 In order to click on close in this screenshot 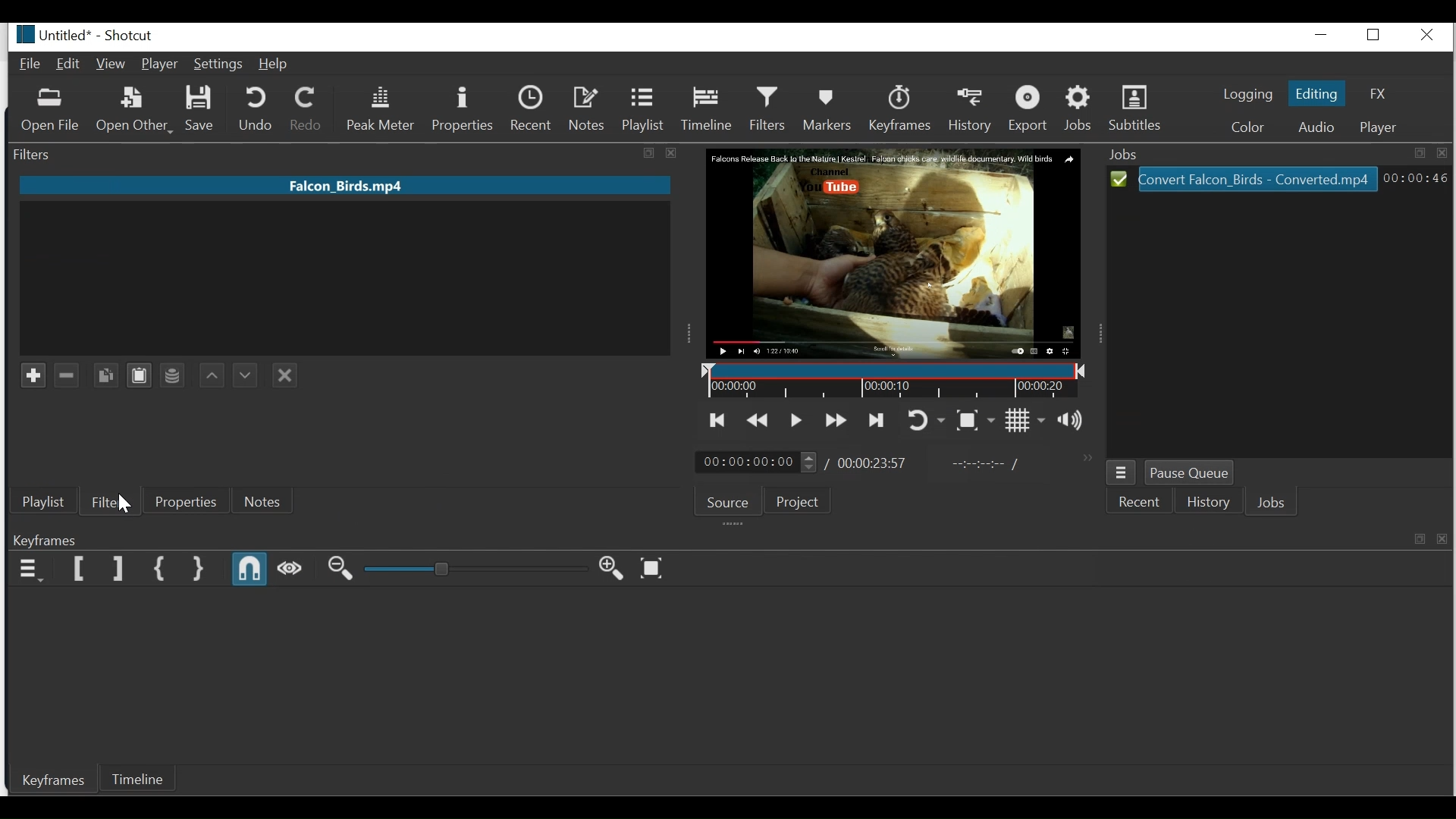, I will do `click(284, 376)`.